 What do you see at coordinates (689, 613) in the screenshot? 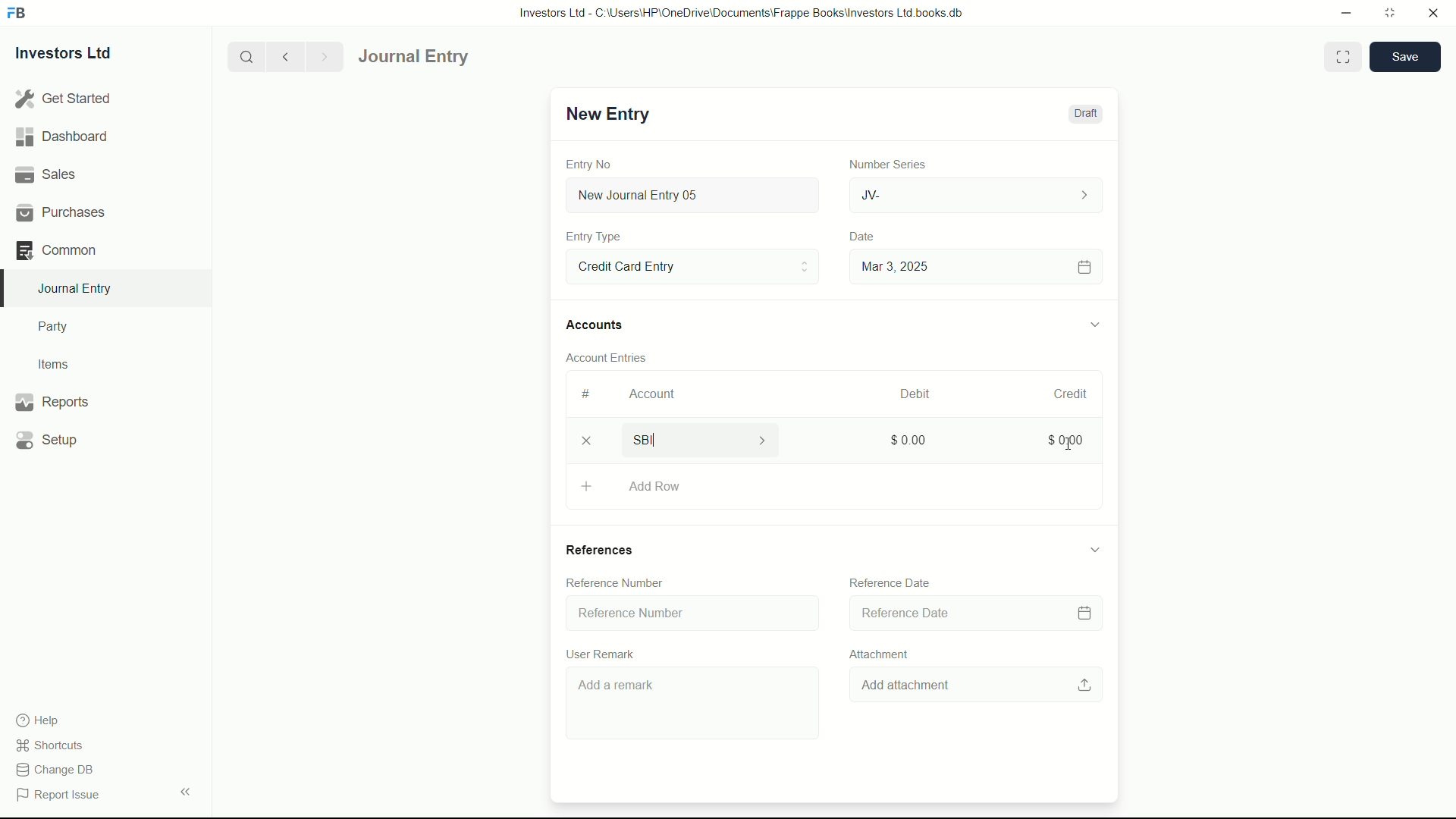
I see `Reference Number` at bounding box center [689, 613].